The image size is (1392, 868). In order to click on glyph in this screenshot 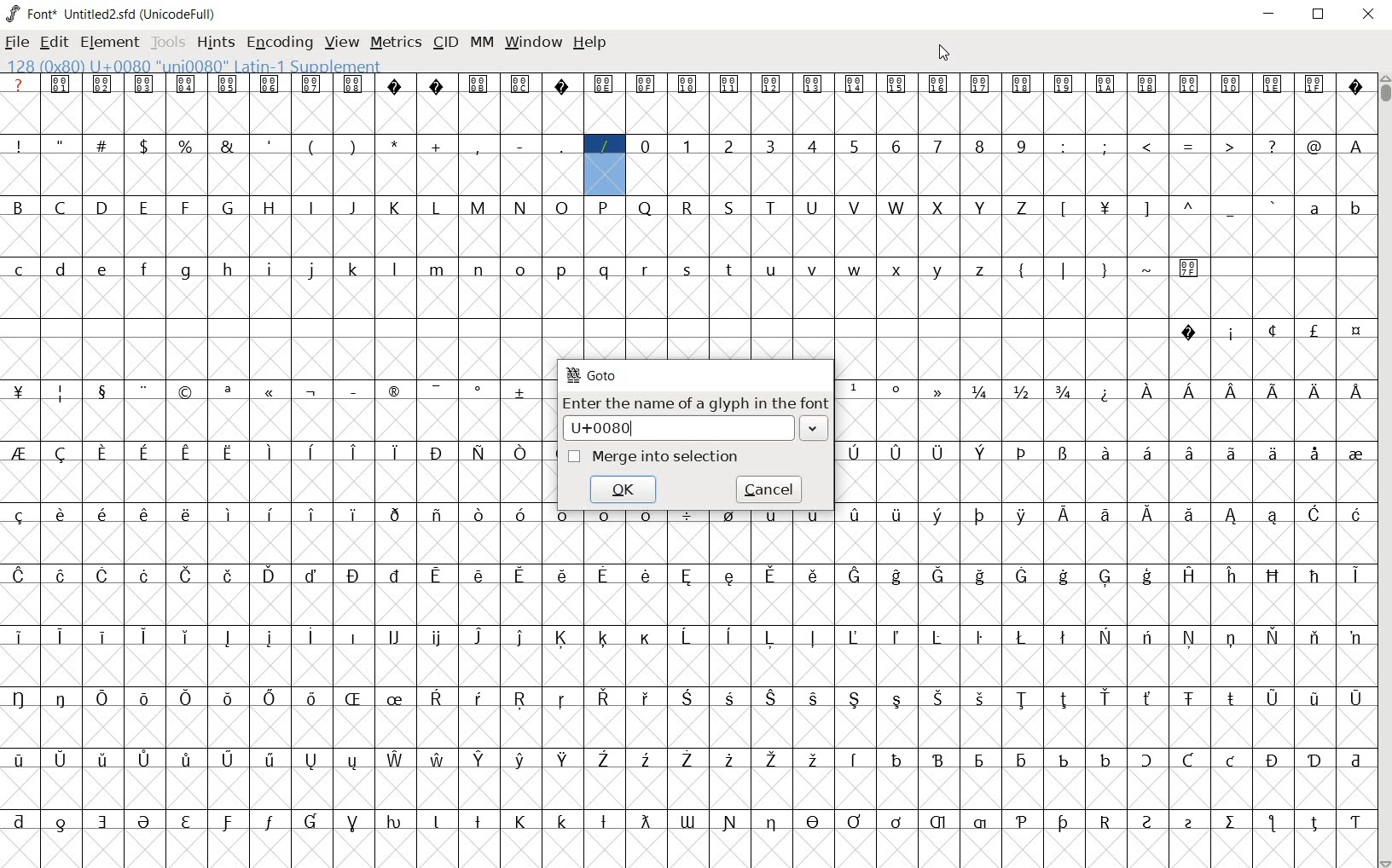, I will do `click(772, 761)`.